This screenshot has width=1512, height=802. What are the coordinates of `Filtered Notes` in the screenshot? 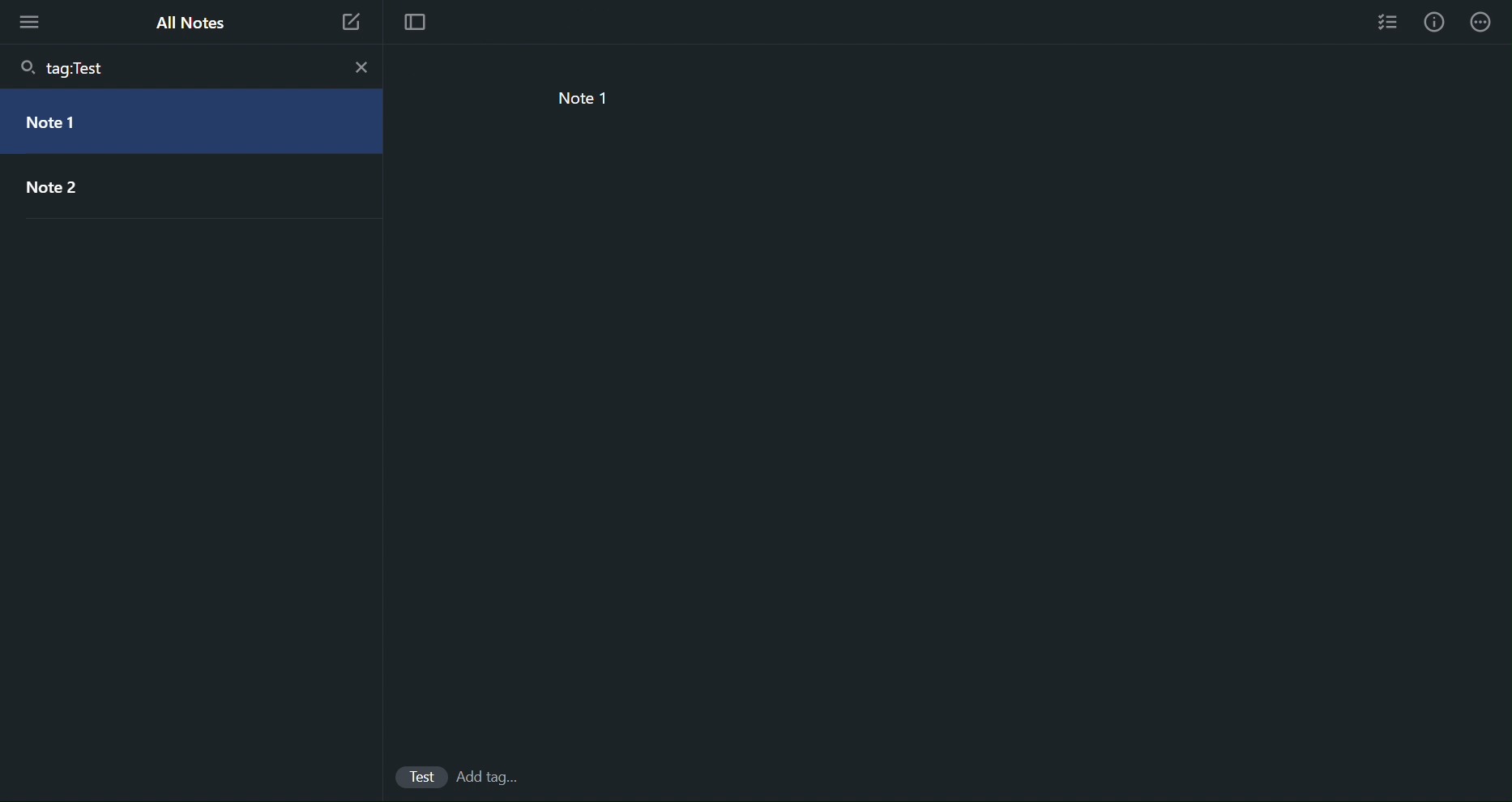 It's located at (194, 150).